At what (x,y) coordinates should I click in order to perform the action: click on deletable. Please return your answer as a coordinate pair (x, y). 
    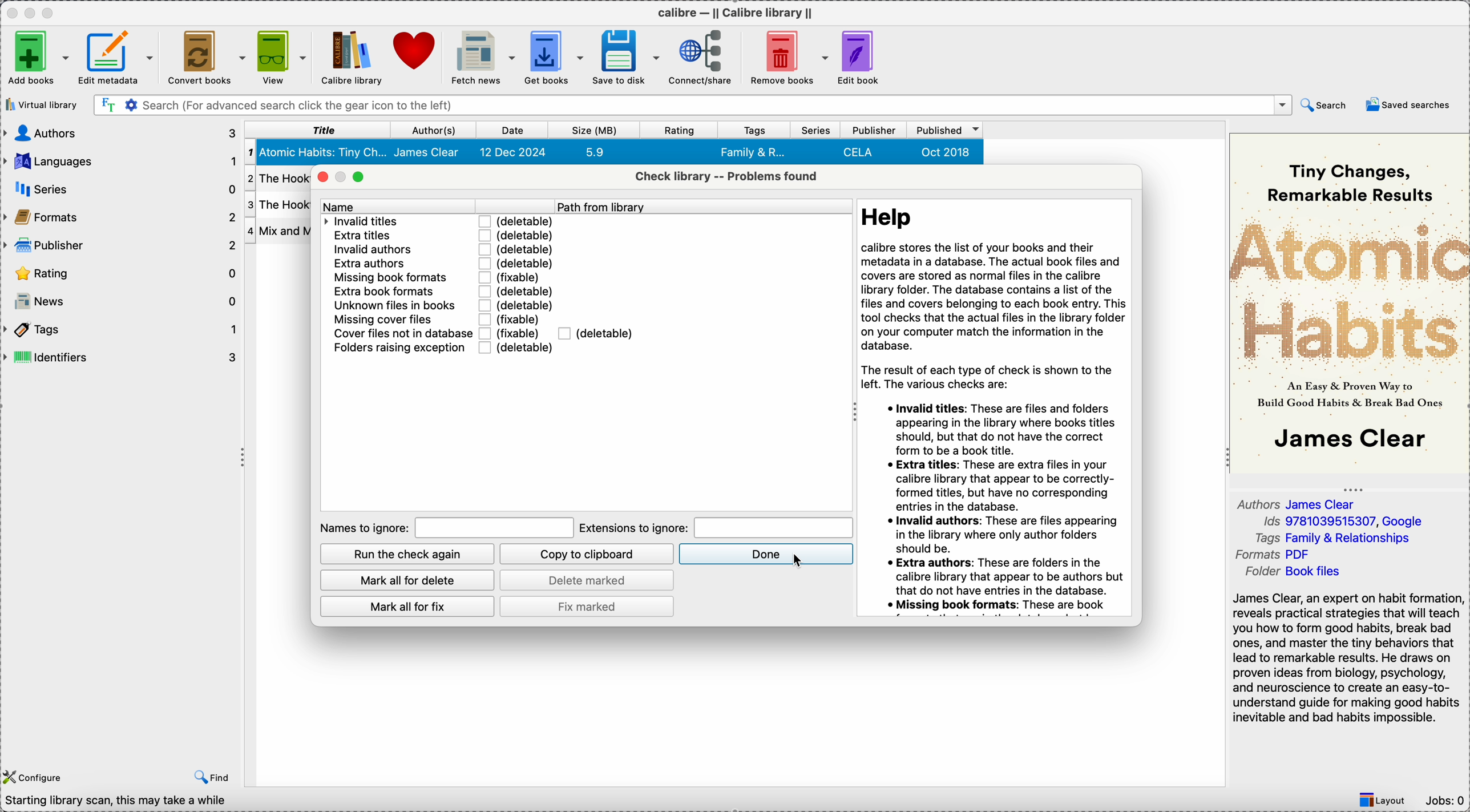
    Looking at the image, I should click on (518, 348).